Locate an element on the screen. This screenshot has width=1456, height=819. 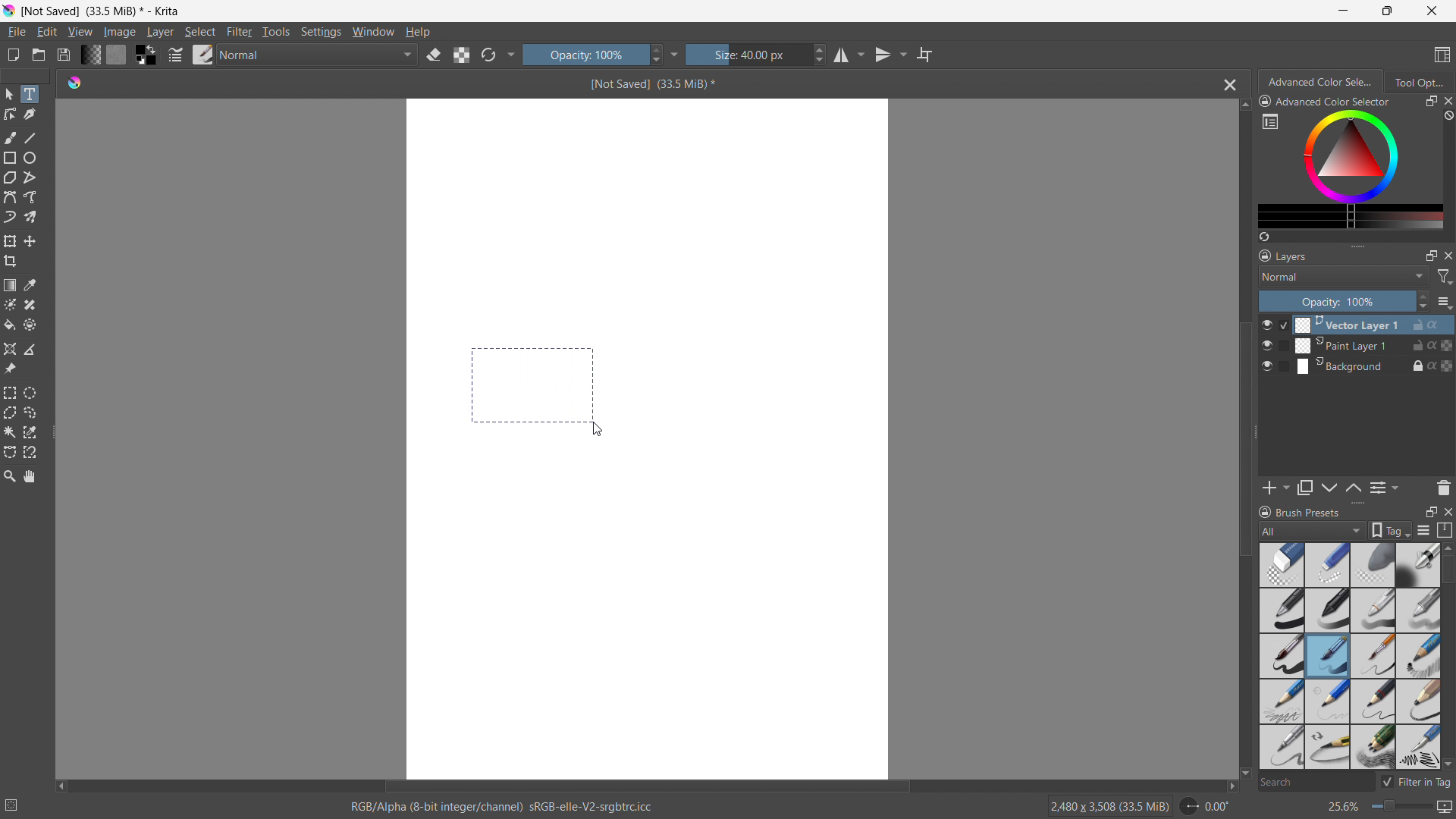
polygonal selection tool is located at coordinates (10, 413).